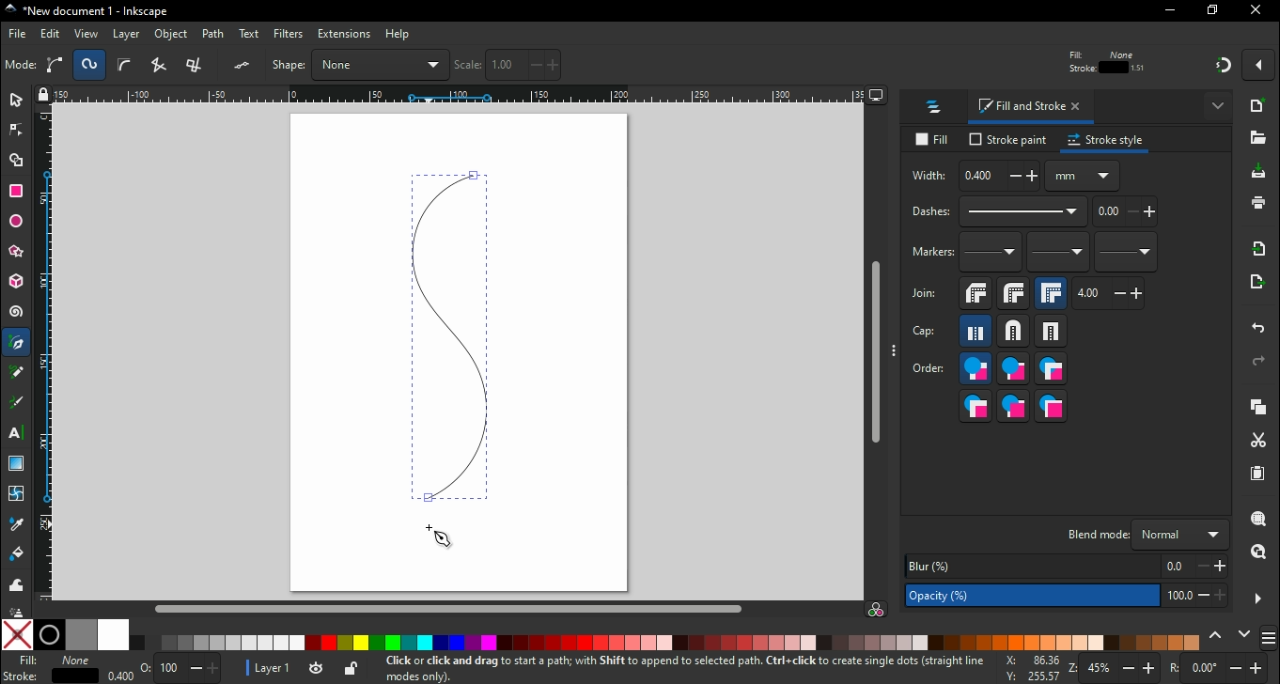  What do you see at coordinates (1113, 668) in the screenshot?
I see `zoom im/zoom out` at bounding box center [1113, 668].